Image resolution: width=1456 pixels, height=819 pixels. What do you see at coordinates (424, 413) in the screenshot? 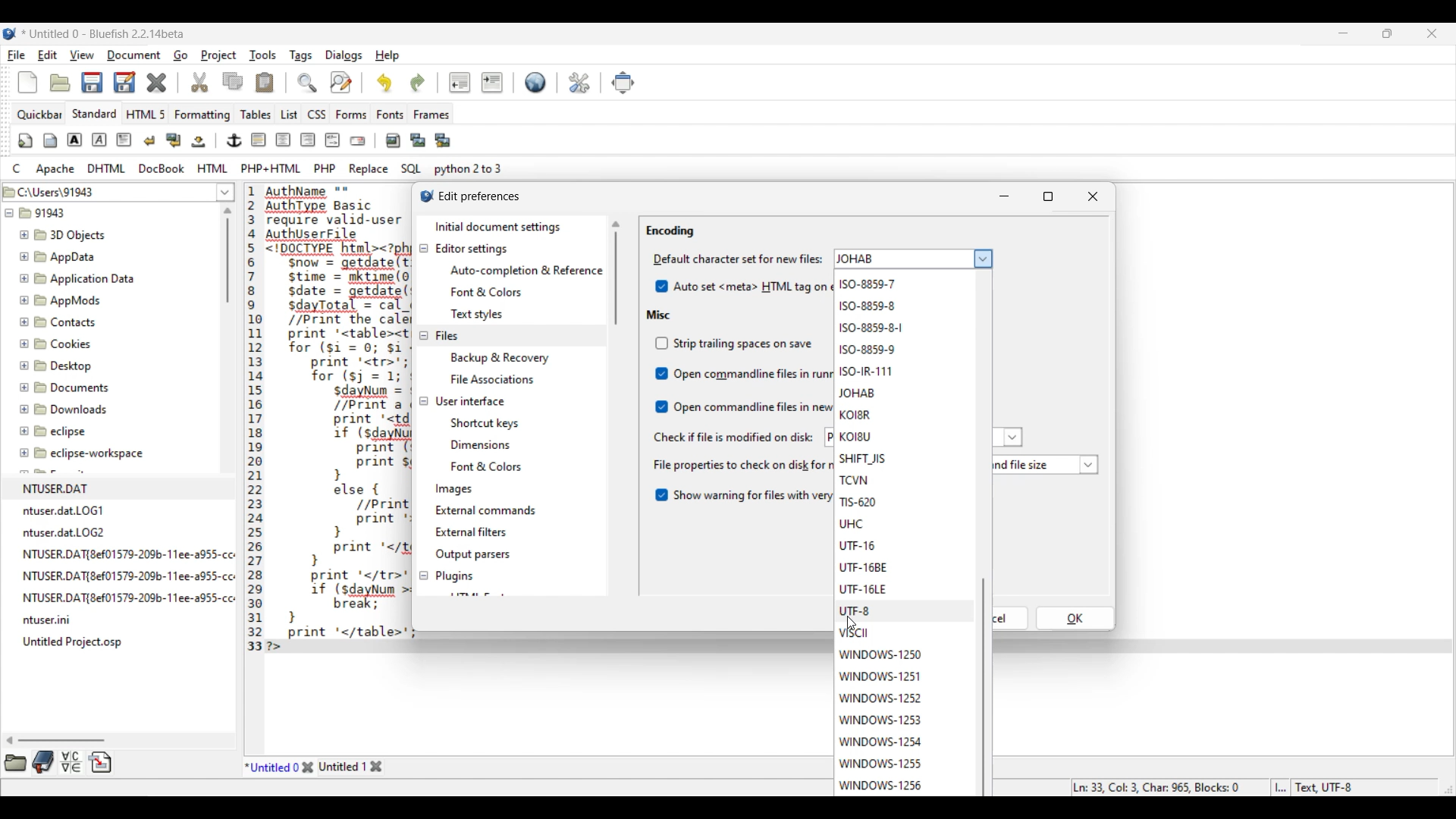
I see `Collapse` at bounding box center [424, 413].